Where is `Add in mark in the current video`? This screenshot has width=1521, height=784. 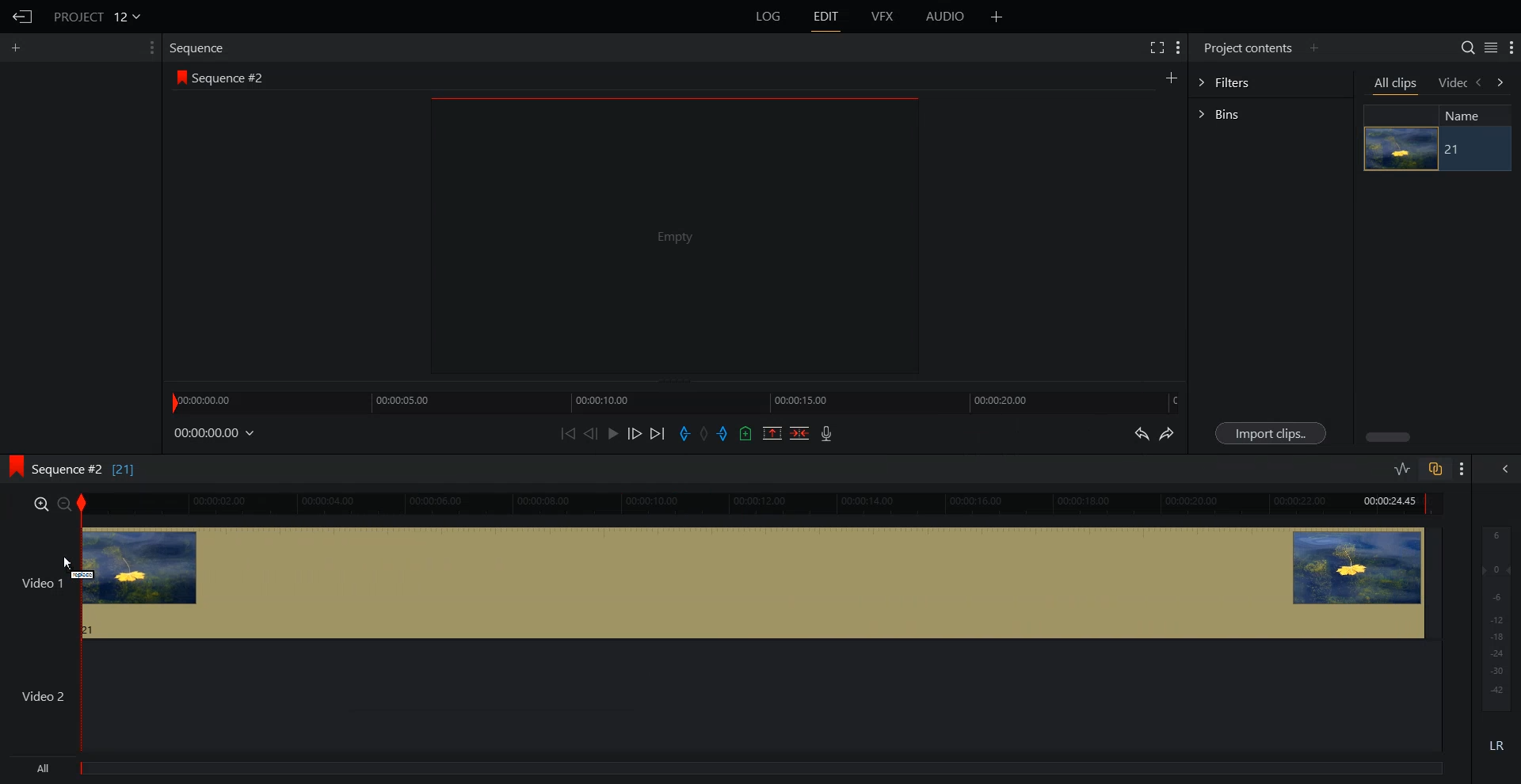
Add in mark in the current video is located at coordinates (684, 434).